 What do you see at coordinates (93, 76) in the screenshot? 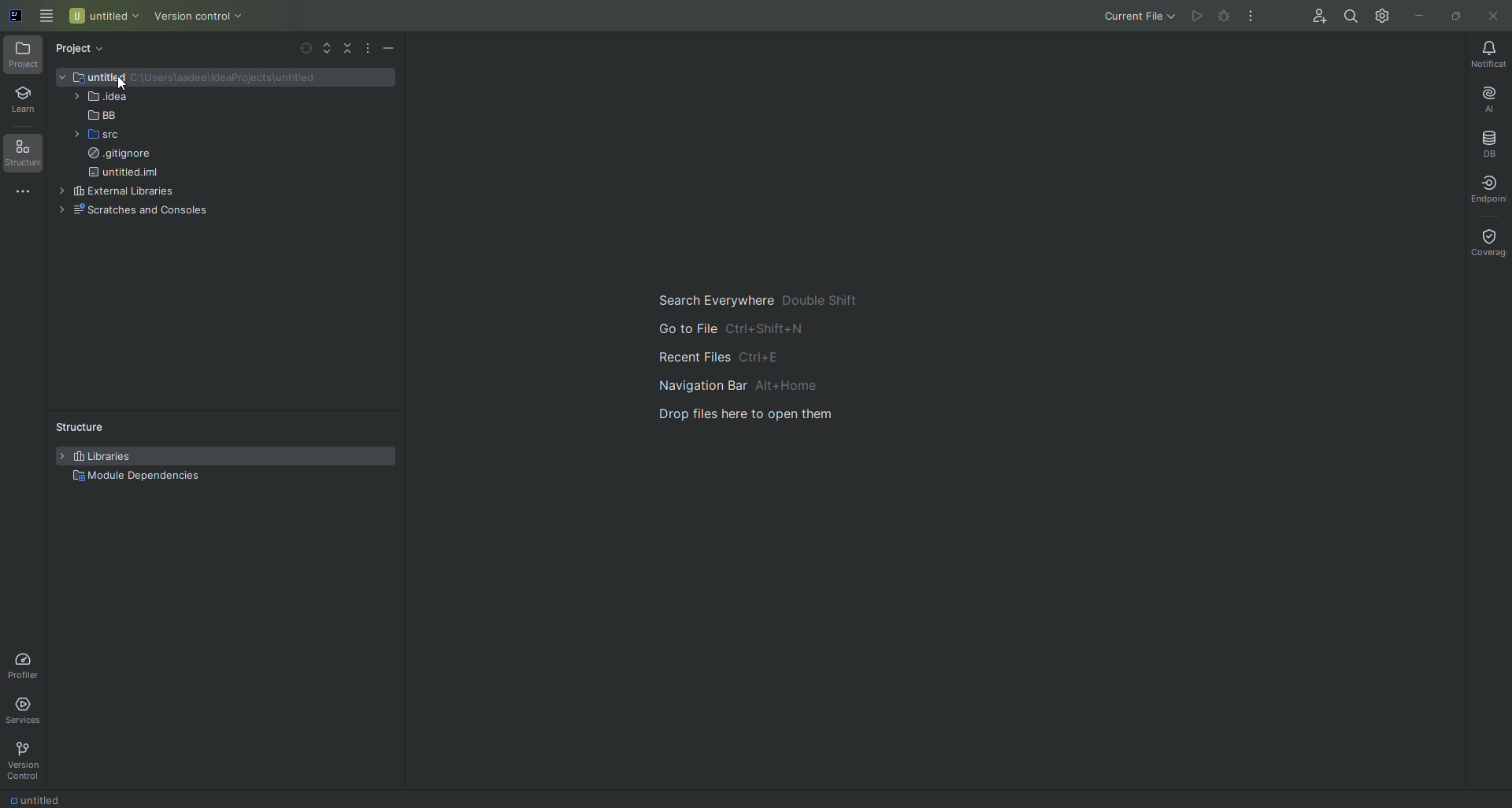
I see `Untitled` at bounding box center [93, 76].